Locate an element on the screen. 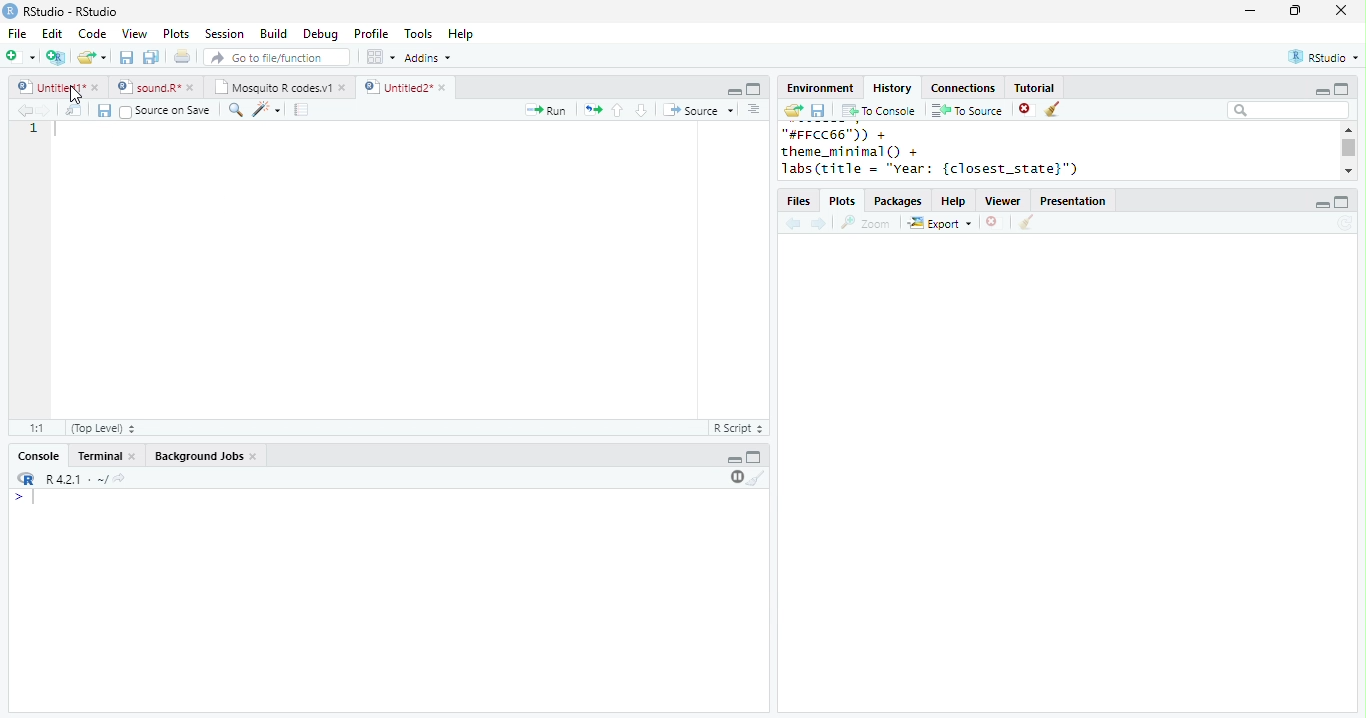 This screenshot has width=1366, height=718. Untitled 2 is located at coordinates (397, 86).